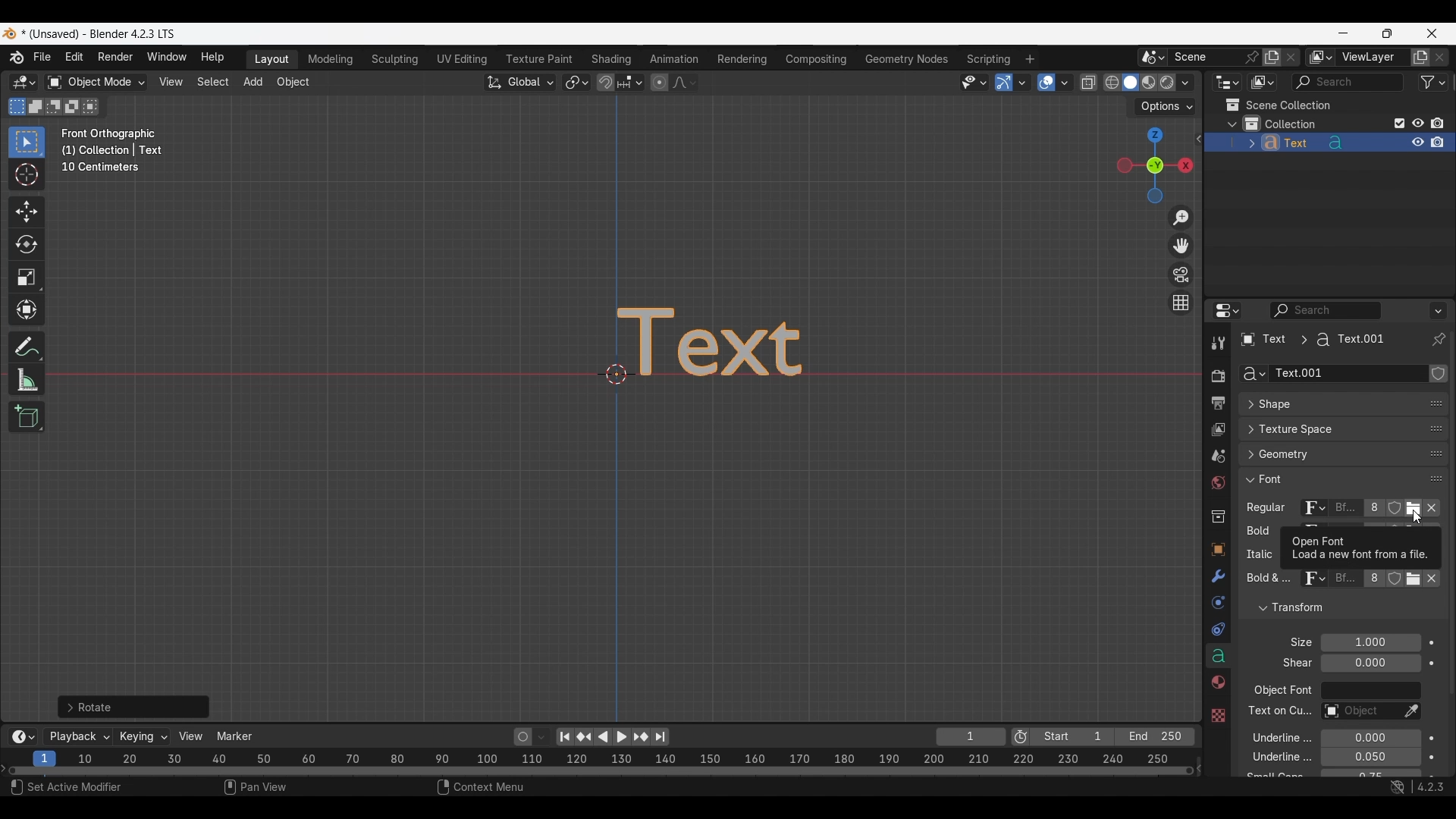  Describe the element at coordinates (1433, 82) in the screenshot. I see `Filter` at that location.